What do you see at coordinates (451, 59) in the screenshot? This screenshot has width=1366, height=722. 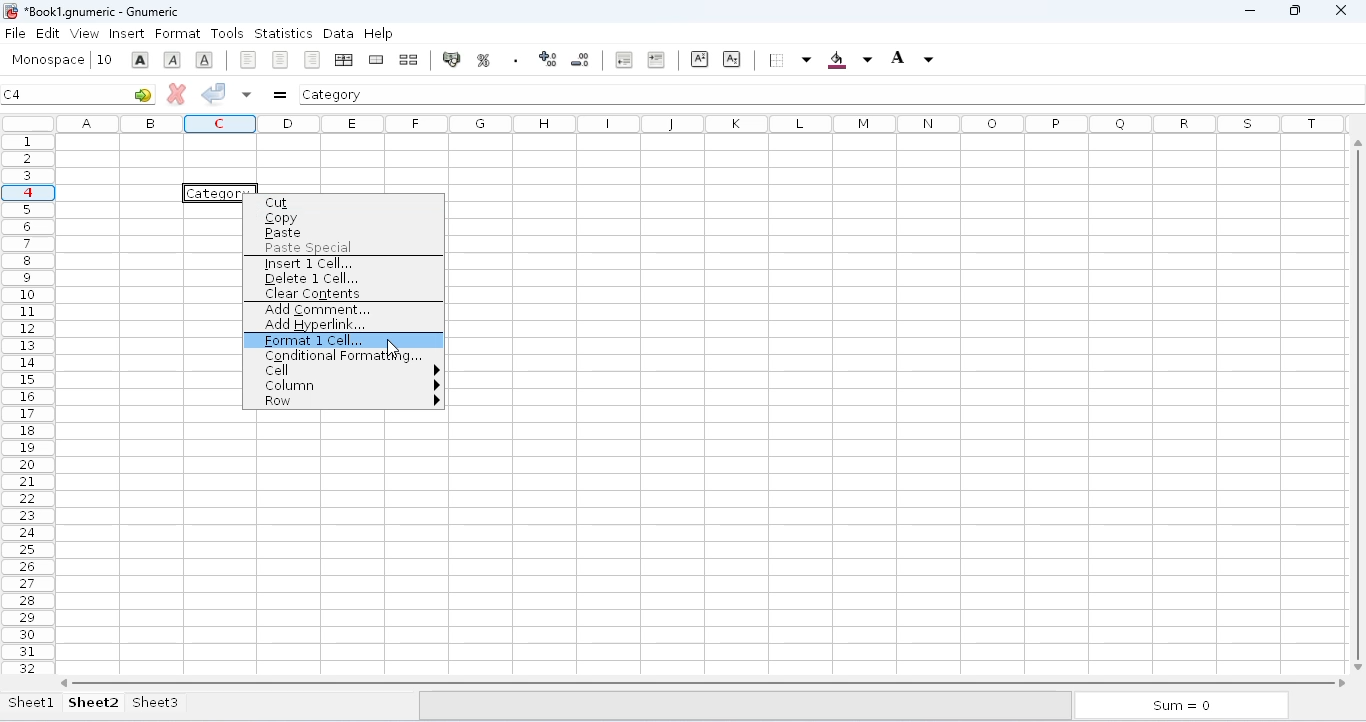 I see `format the selection as accounting` at bounding box center [451, 59].